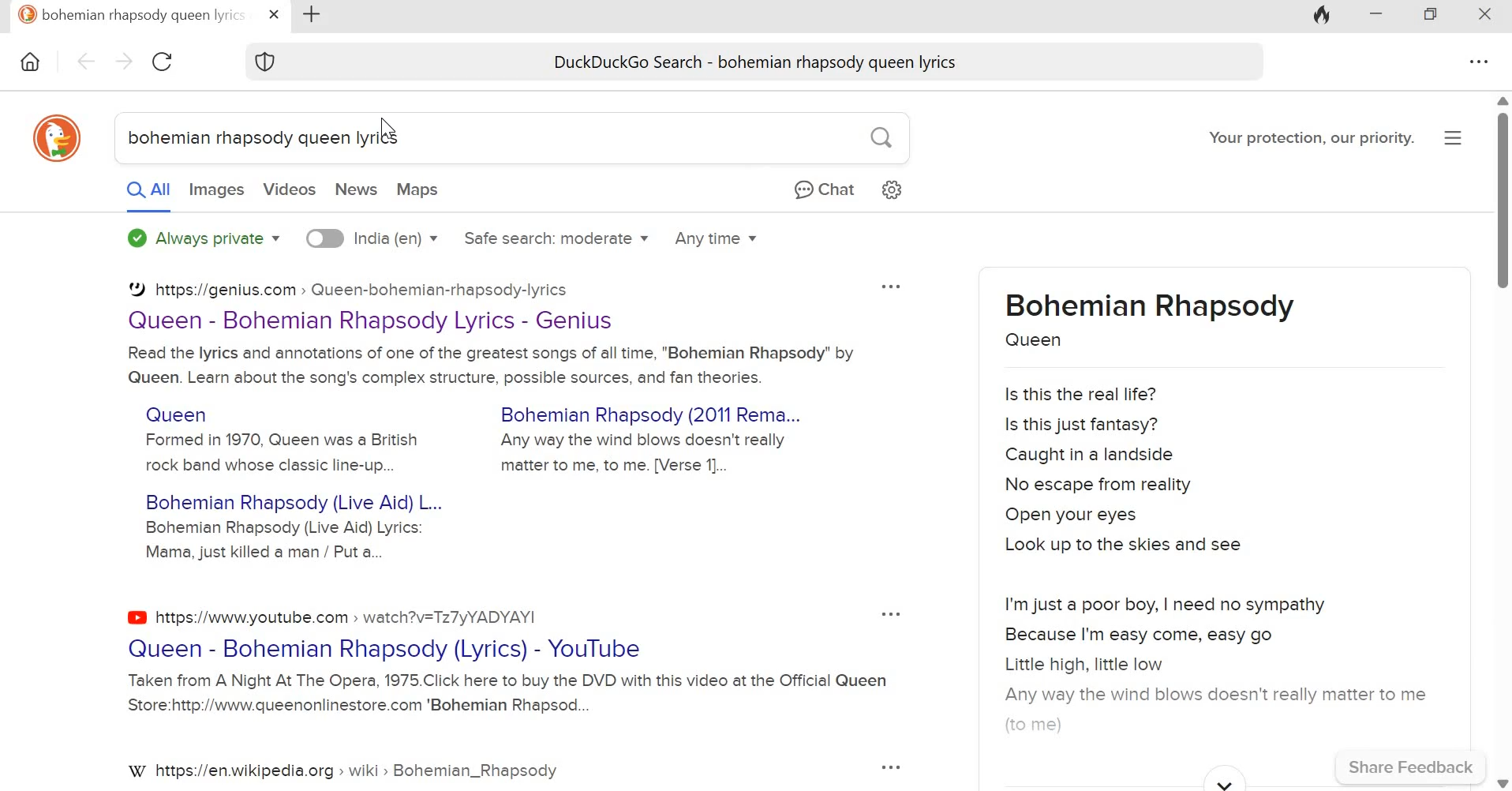 This screenshot has height=791, width=1512. What do you see at coordinates (373, 322) in the screenshot?
I see `Queen - Bohemian Rhapsody Lyrics - Genius` at bounding box center [373, 322].